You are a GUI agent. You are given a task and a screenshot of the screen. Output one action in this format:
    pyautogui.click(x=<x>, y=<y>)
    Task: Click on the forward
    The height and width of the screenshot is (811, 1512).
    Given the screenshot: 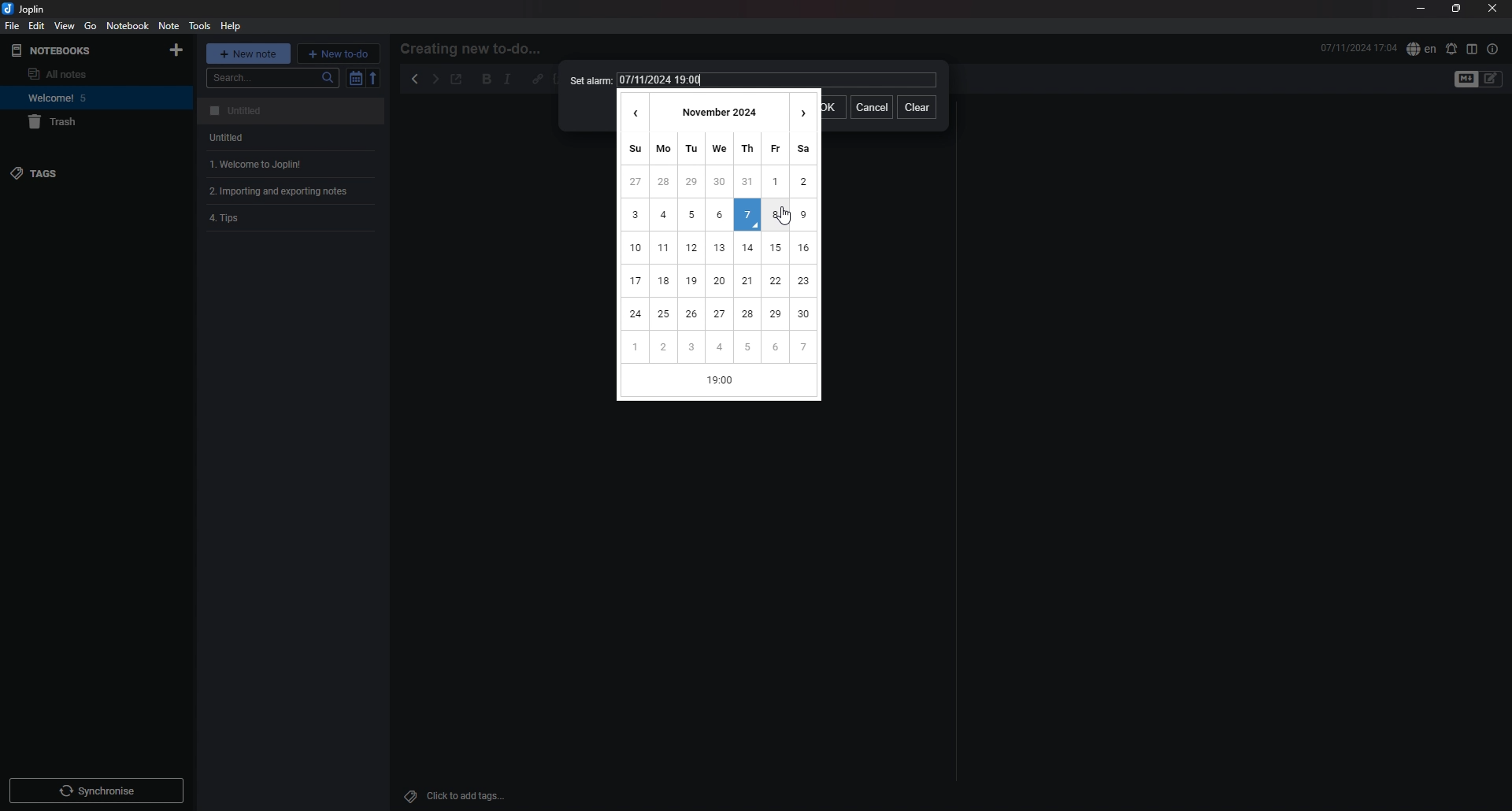 What is the action you would take?
    pyautogui.click(x=435, y=80)
    